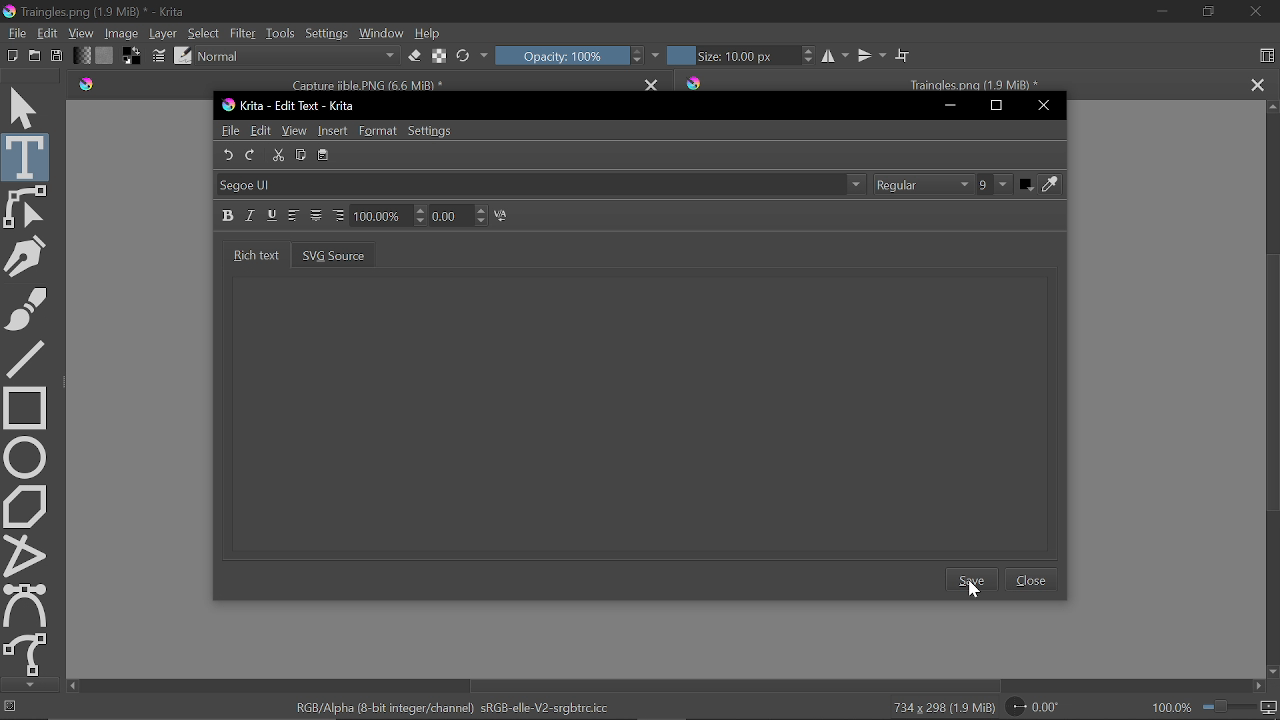  I want to click on Vertical mirror, so click(870, 55).